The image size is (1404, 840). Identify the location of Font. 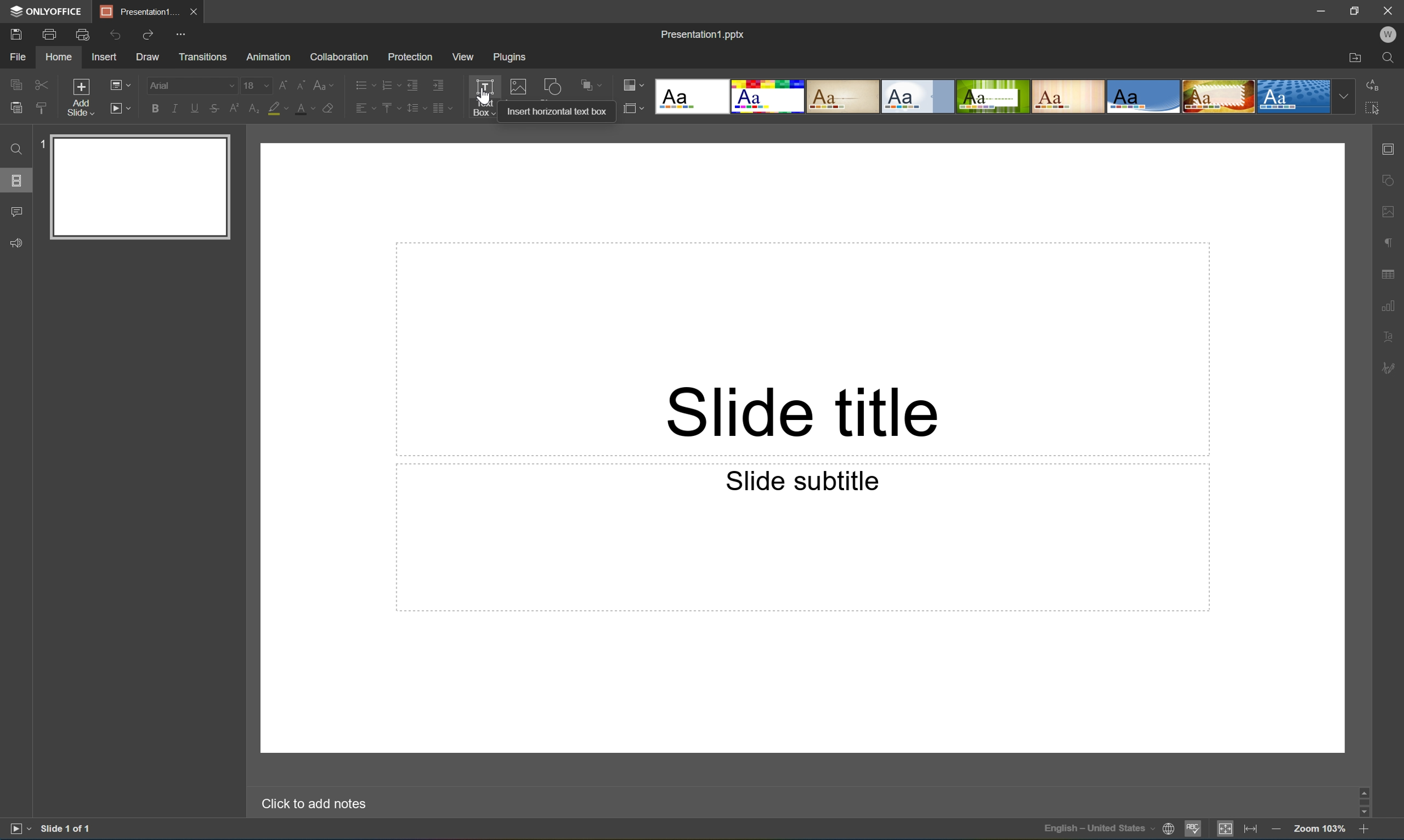
(194, 86).